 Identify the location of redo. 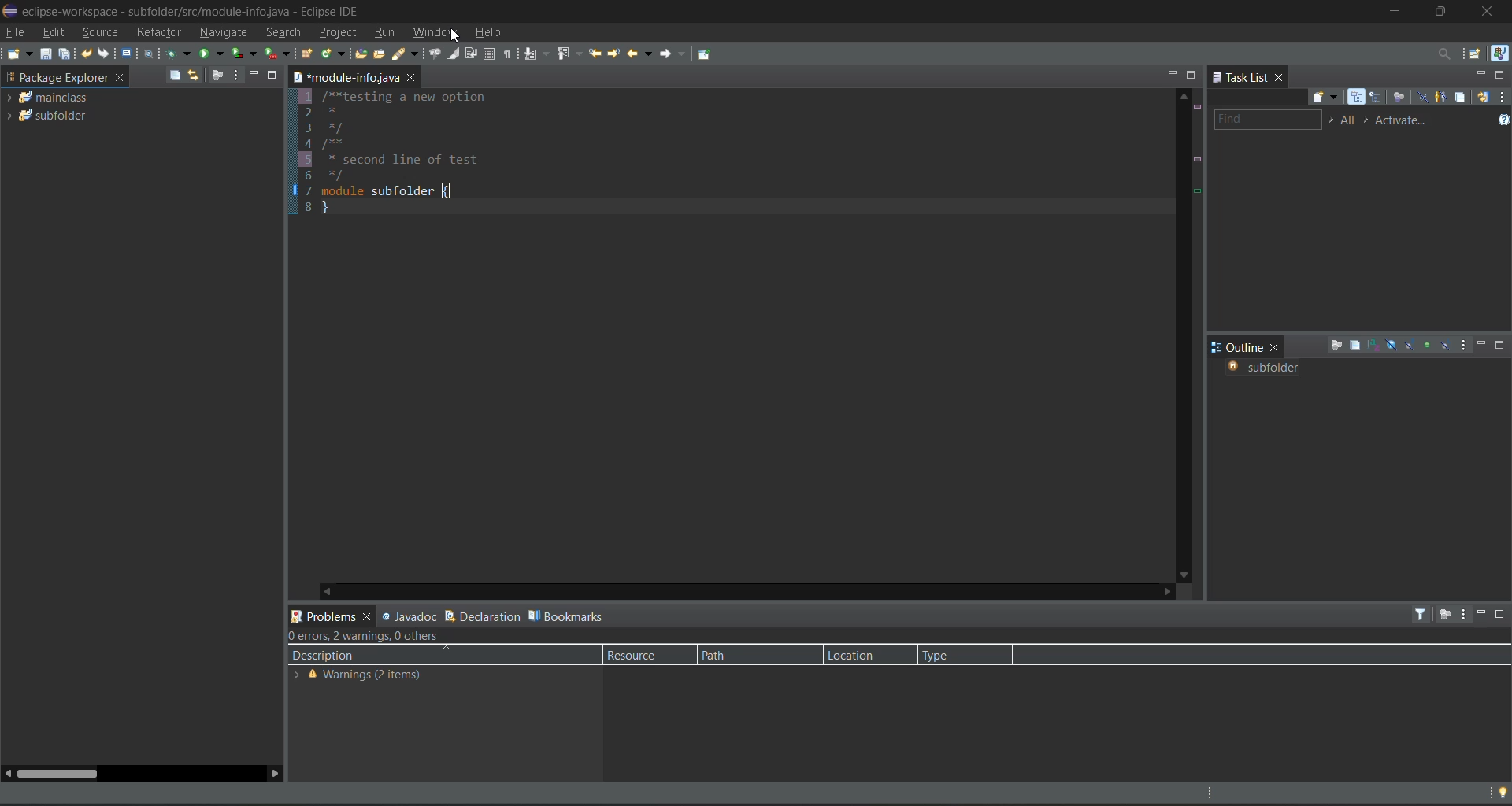
(106, 54).